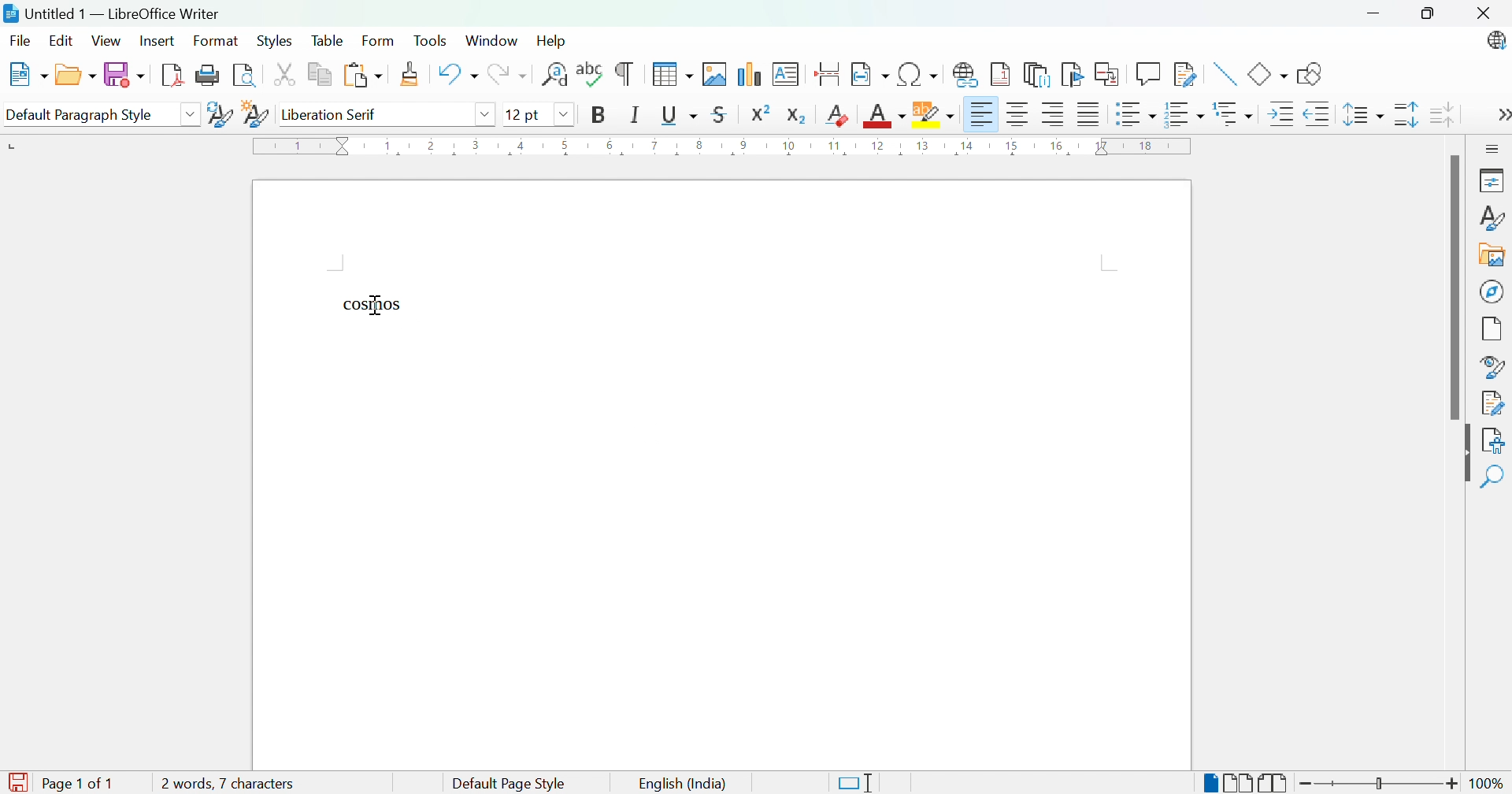 Image resolution: width=1512 pixels, height=794 pixels. I want to click on Insert field, so click(870, 72).